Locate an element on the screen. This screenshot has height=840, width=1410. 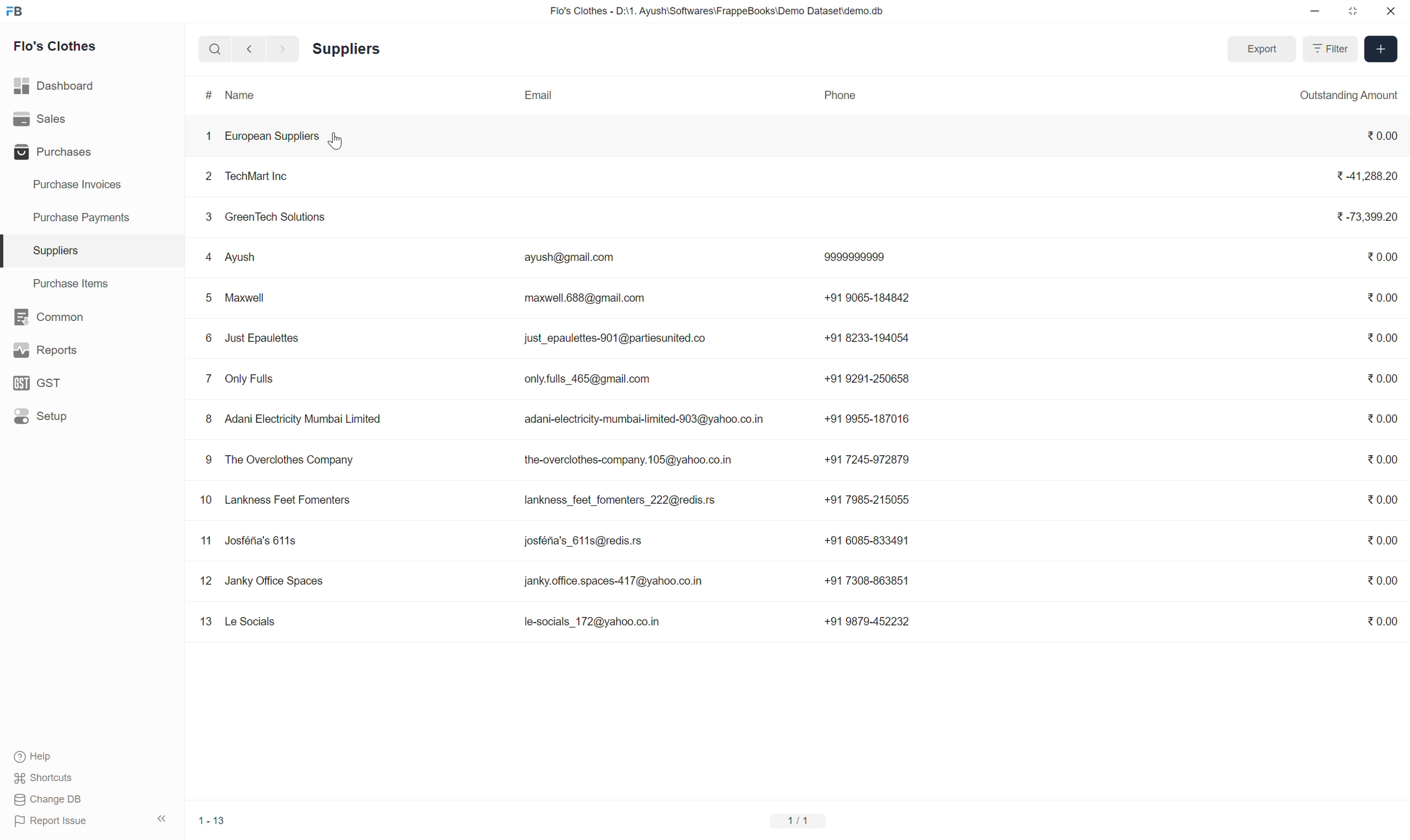
Shortcuts is located at coordinates (42, 779).